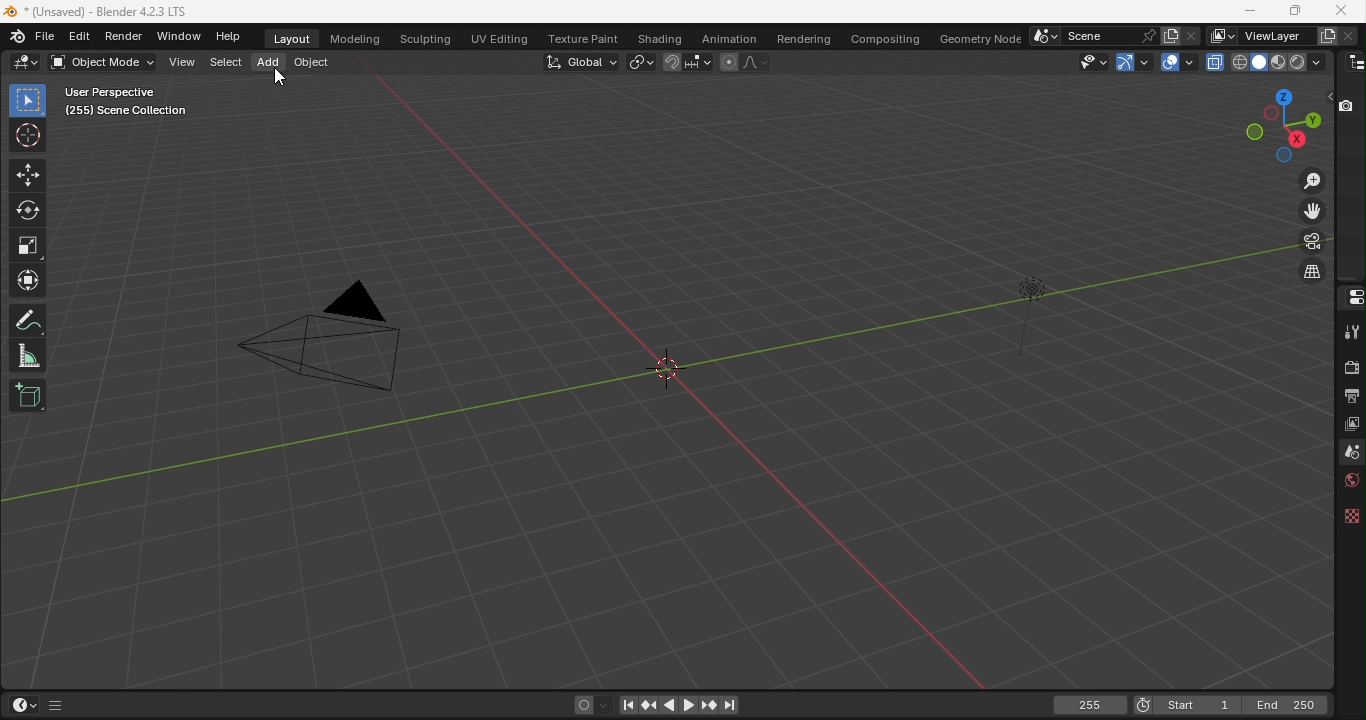 The image size is (1366, 720). What do you see at coordinates (728, 38) in the screenshot?
I see `Animation` at bounding box center [728, 38].